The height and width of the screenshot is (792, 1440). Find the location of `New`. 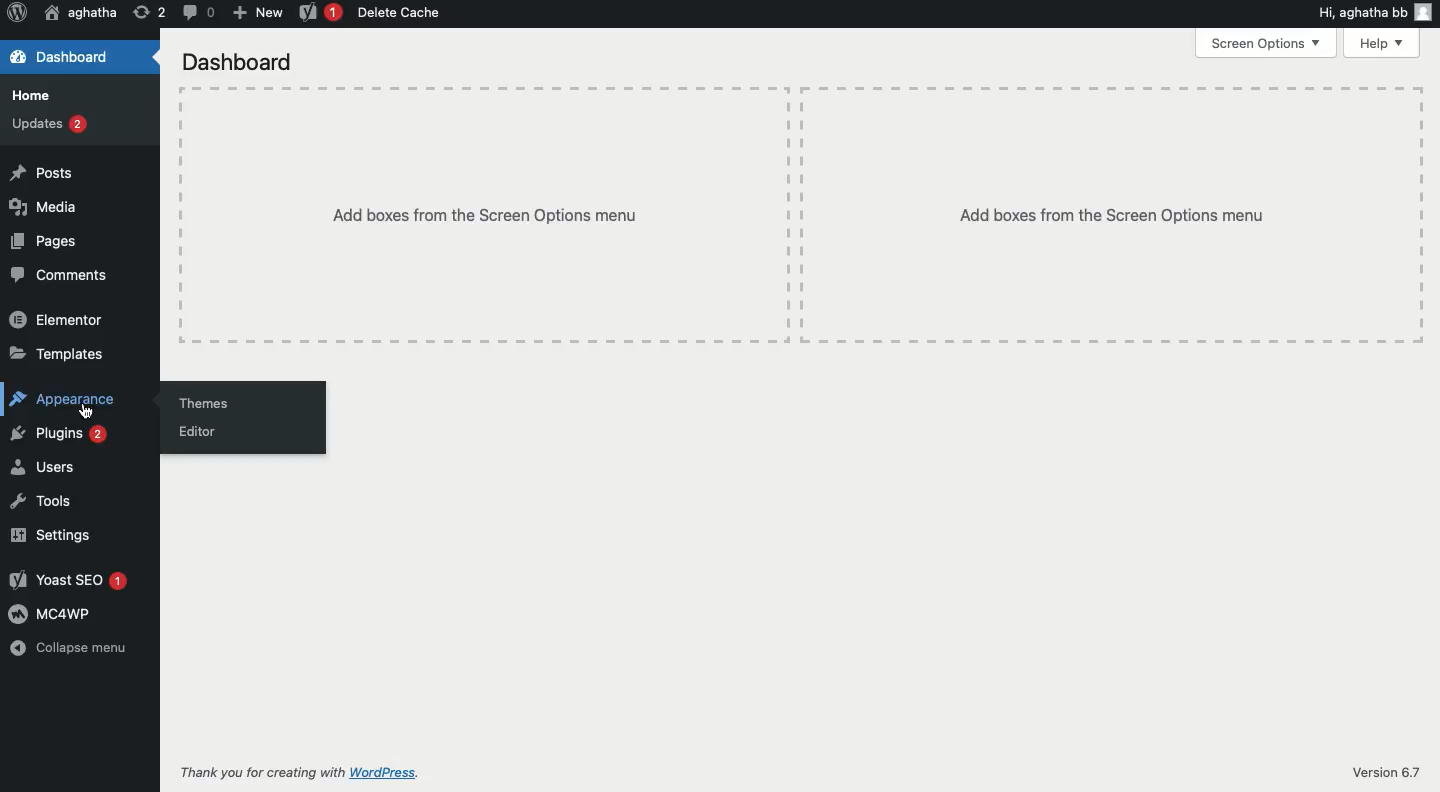

New is located at coordinates (257, 14).